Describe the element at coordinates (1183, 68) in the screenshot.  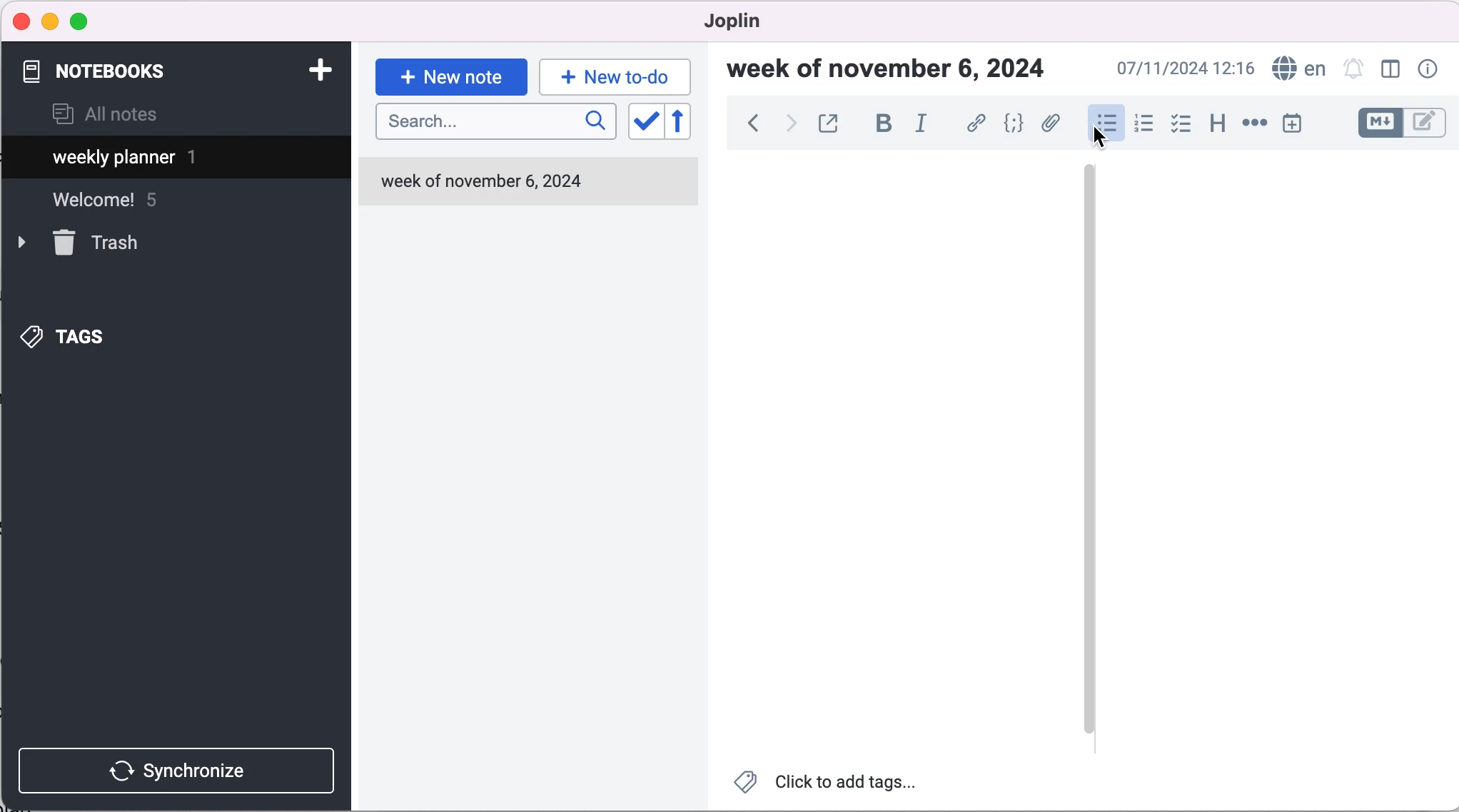
I see `07/11/2024 09:03` at that location.